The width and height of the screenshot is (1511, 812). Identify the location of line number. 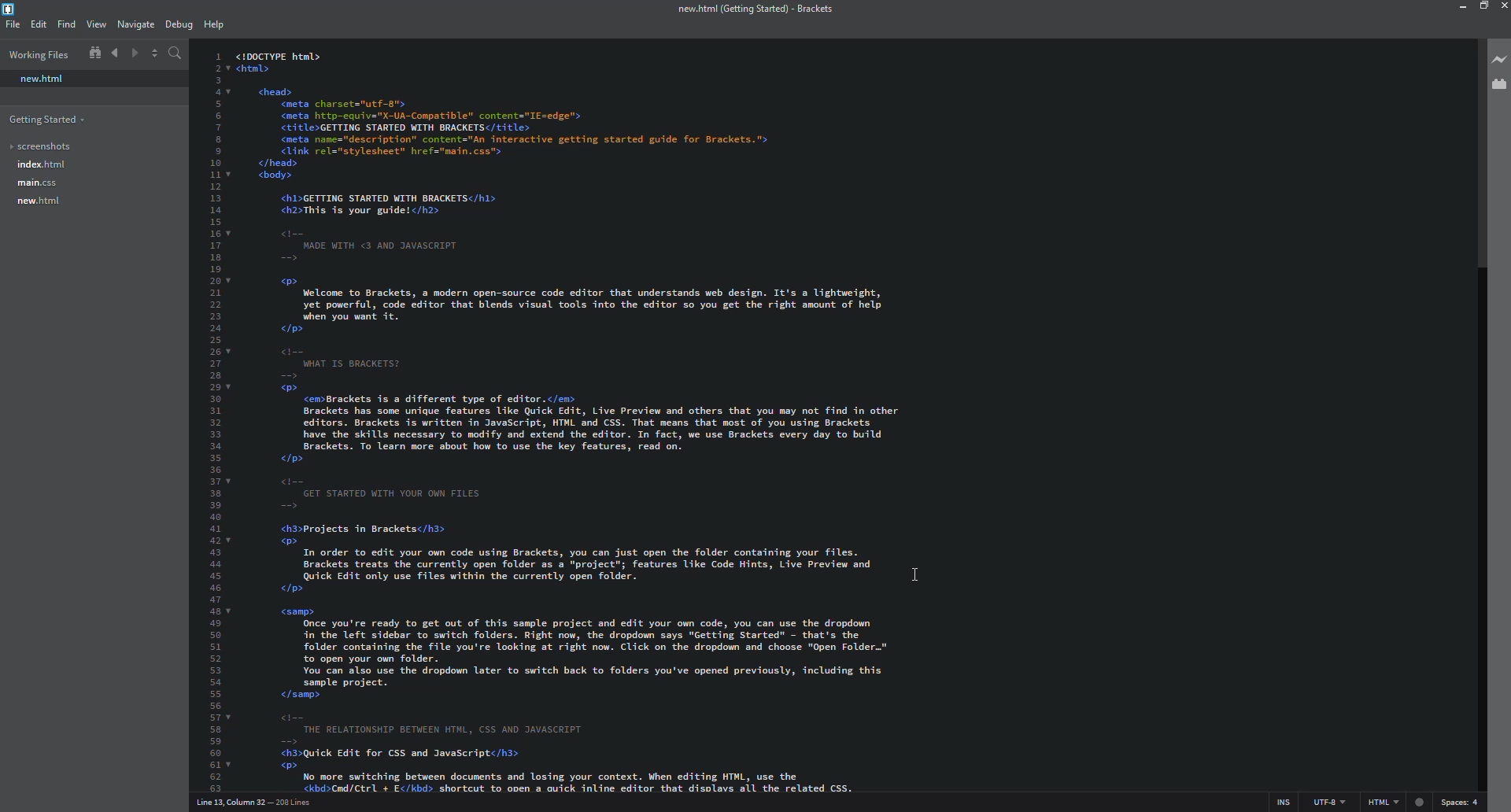
(256, 802).